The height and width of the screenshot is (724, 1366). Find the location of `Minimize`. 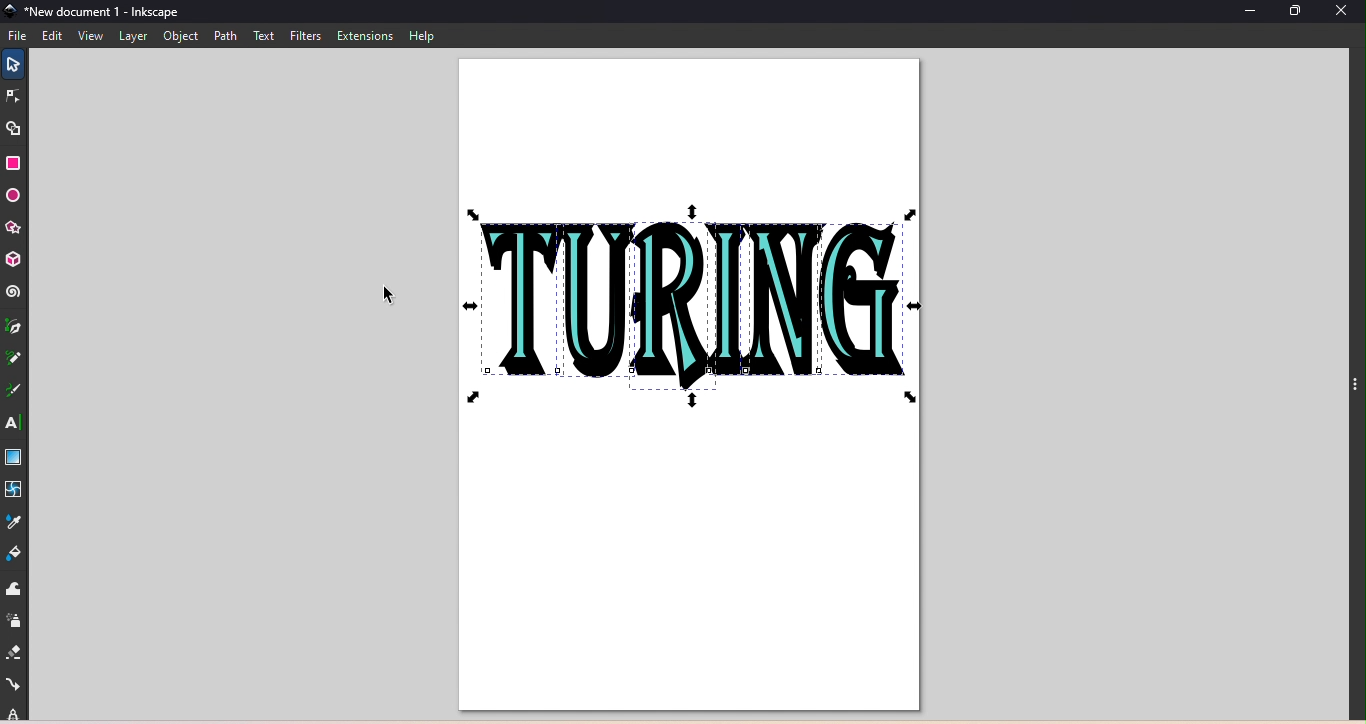

Minimize is located at coordinates (1248, 13).